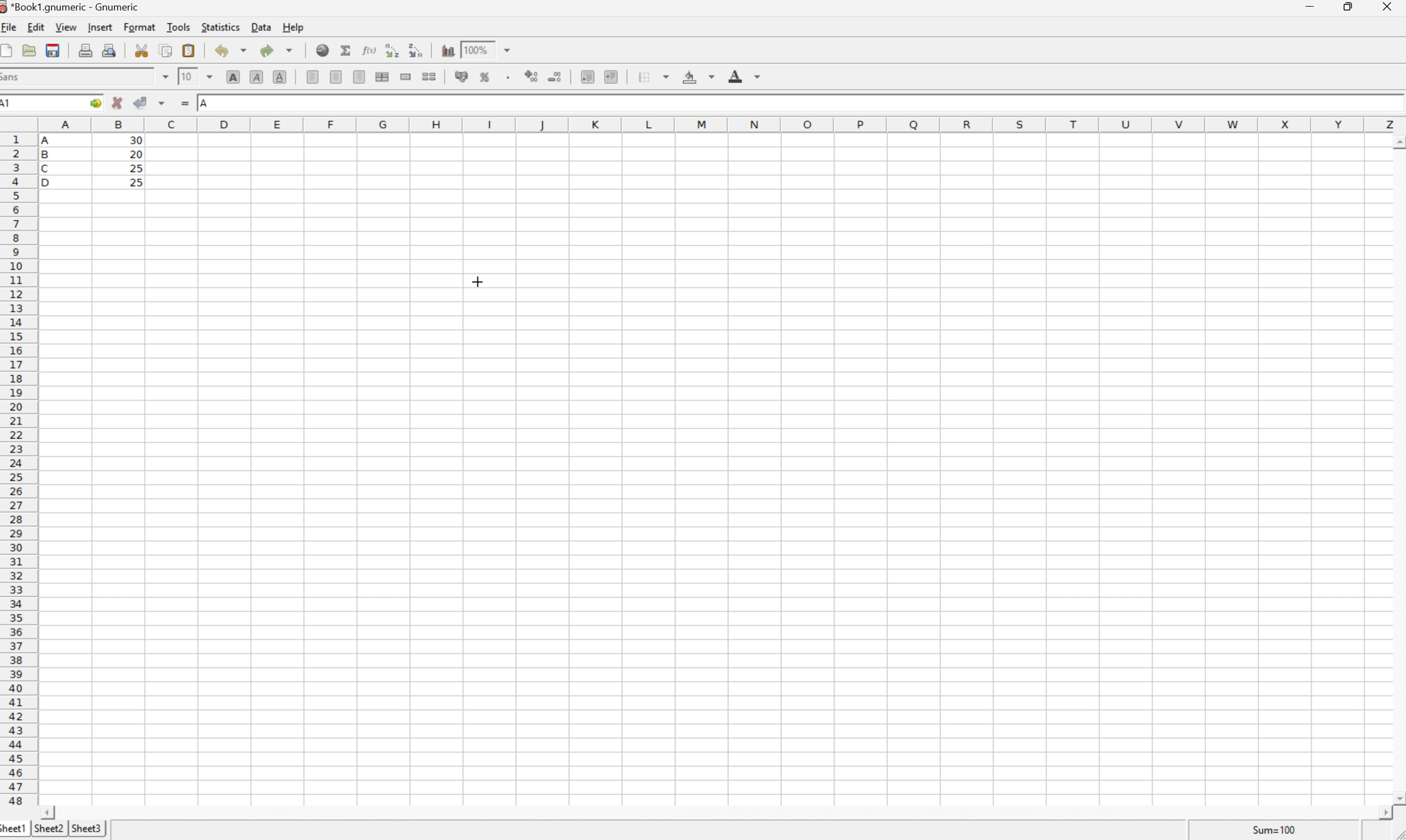  I want to click on Cursor, so click(65, 138).